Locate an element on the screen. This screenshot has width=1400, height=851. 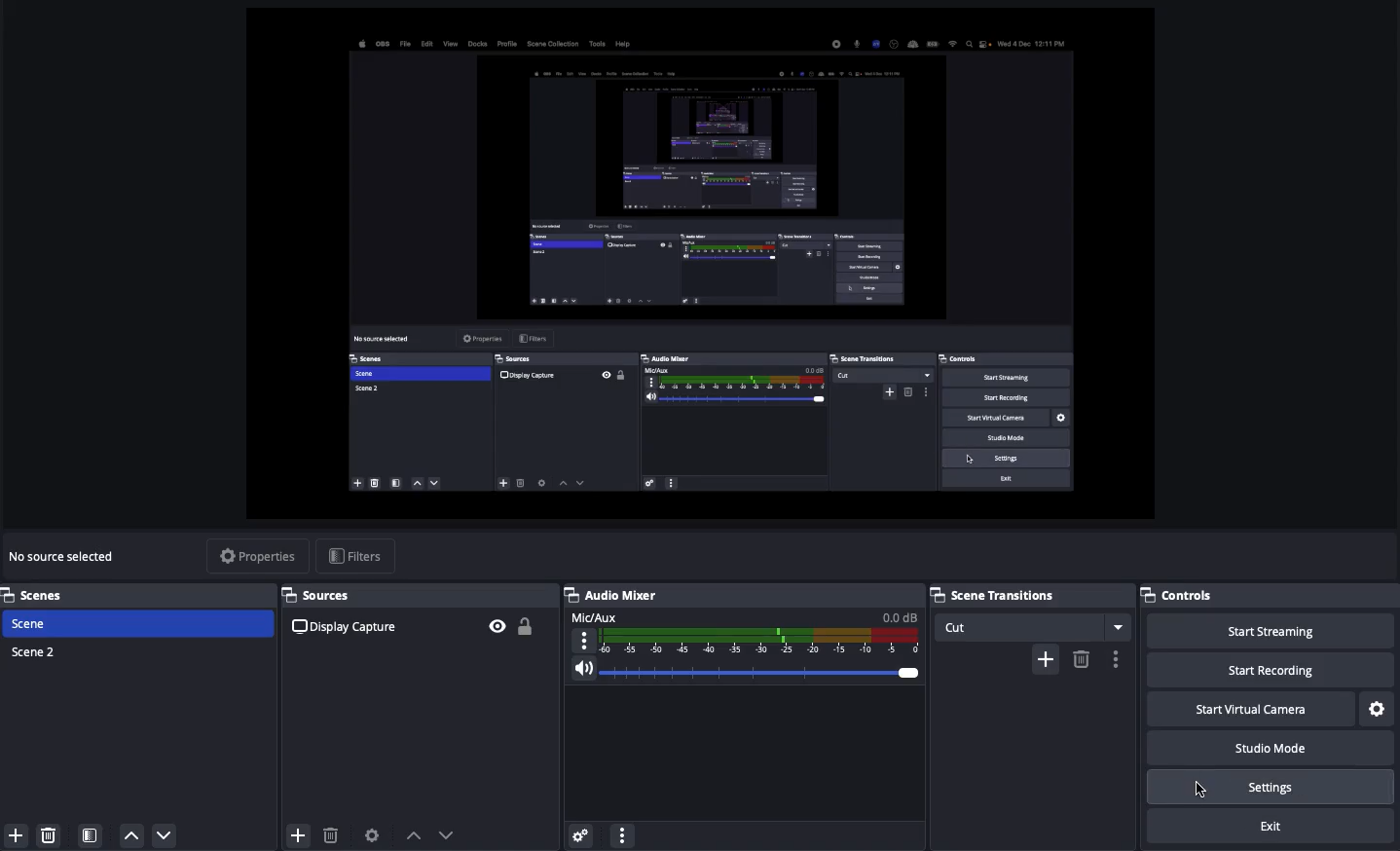
Audio mixer is located at coordinates (613, 595).